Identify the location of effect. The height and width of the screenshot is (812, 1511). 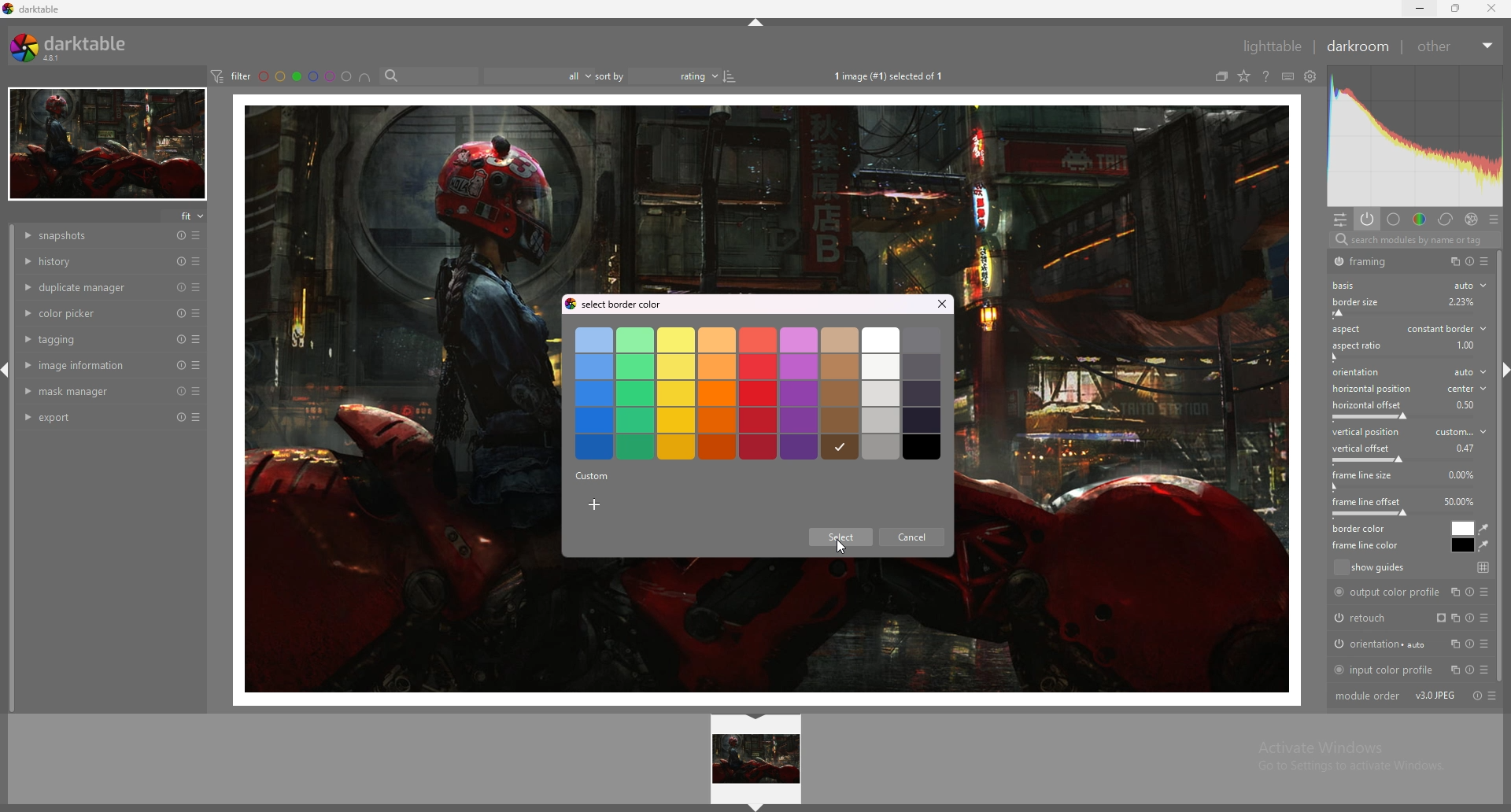
(1469, 218).